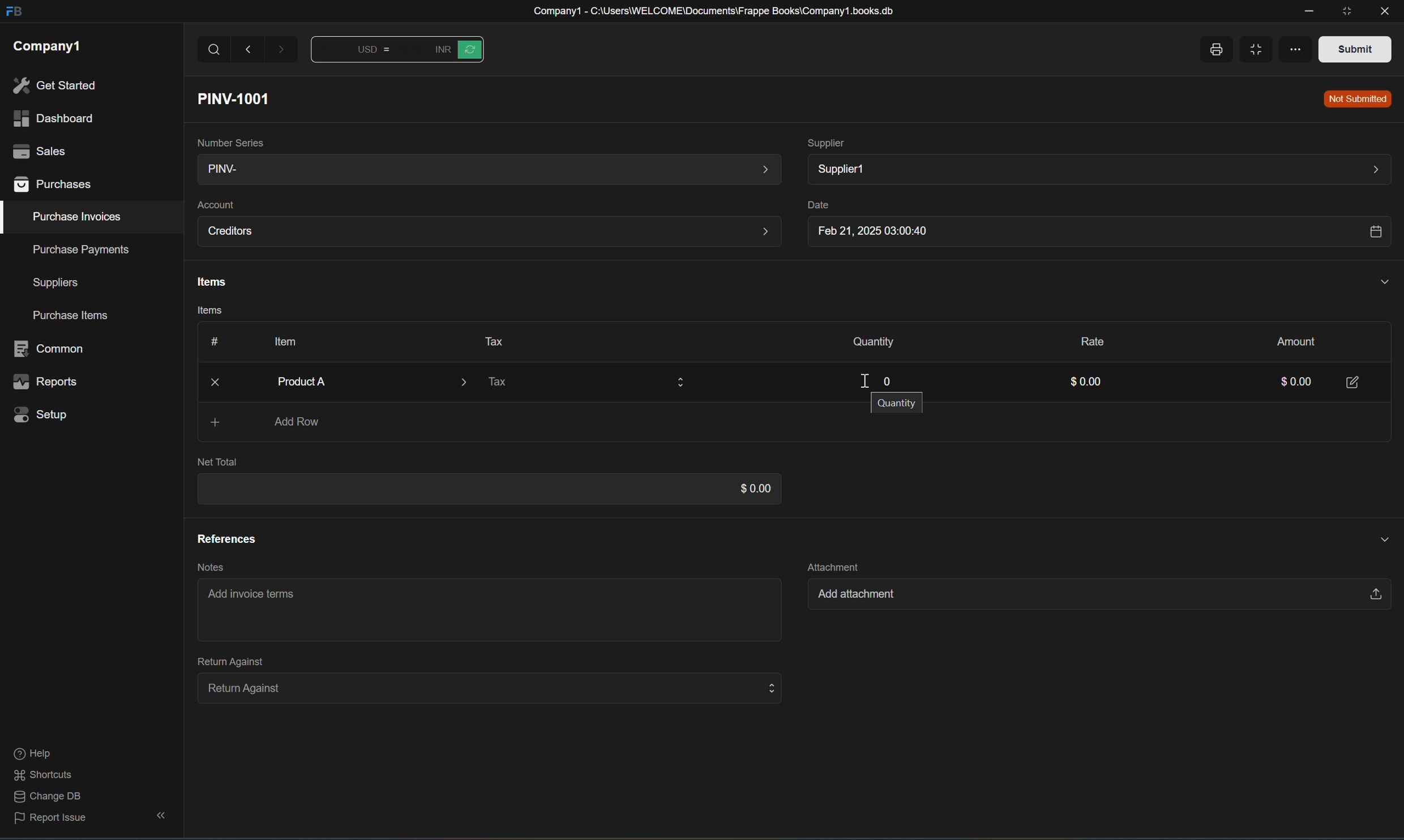 This screenshot has height=840, width=1404. I want to click on Net Total, so click(217, 462).